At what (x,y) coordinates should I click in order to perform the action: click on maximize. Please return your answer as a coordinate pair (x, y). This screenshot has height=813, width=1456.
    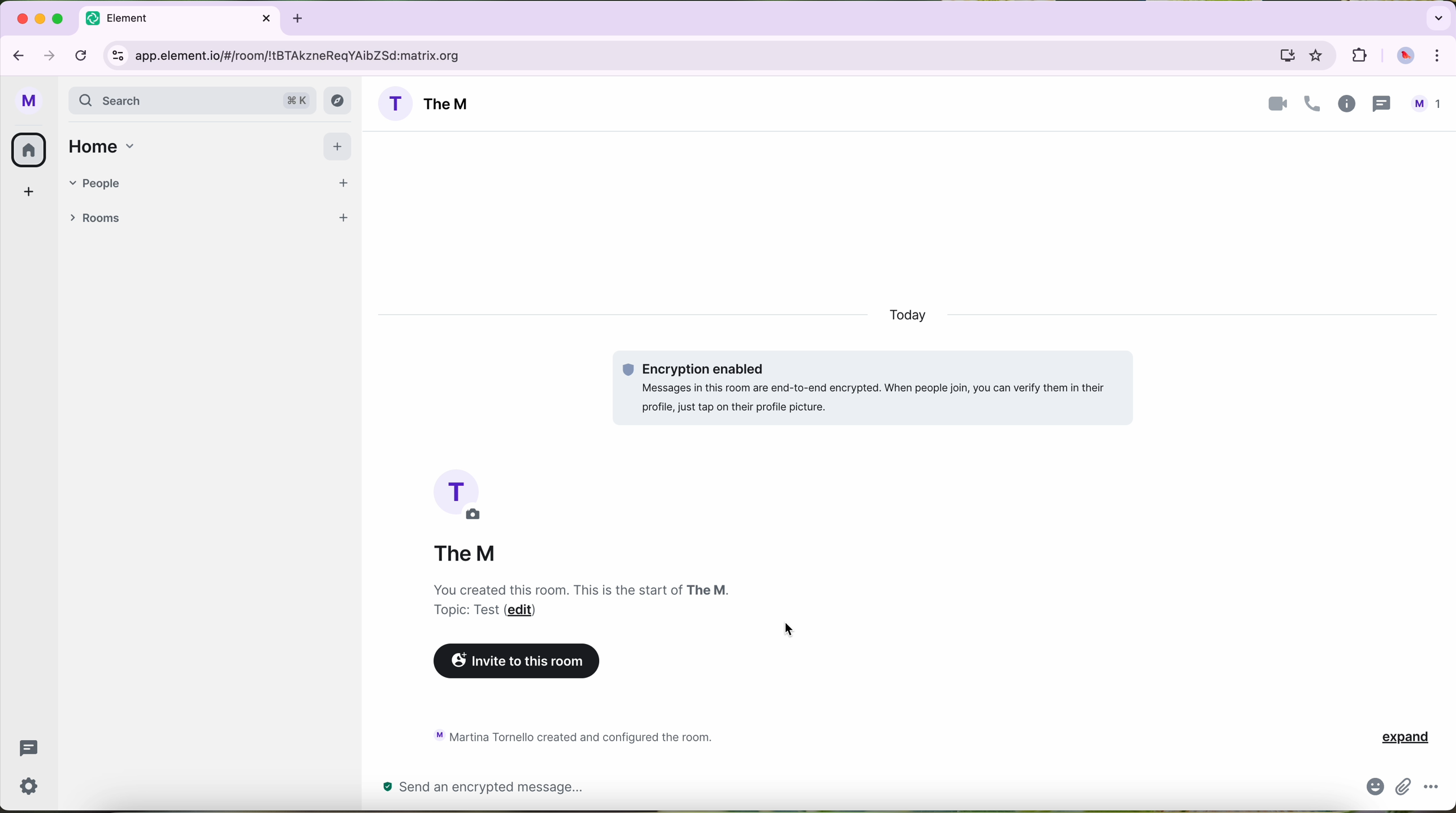
    Looking at the image, I should click on (59, 18).